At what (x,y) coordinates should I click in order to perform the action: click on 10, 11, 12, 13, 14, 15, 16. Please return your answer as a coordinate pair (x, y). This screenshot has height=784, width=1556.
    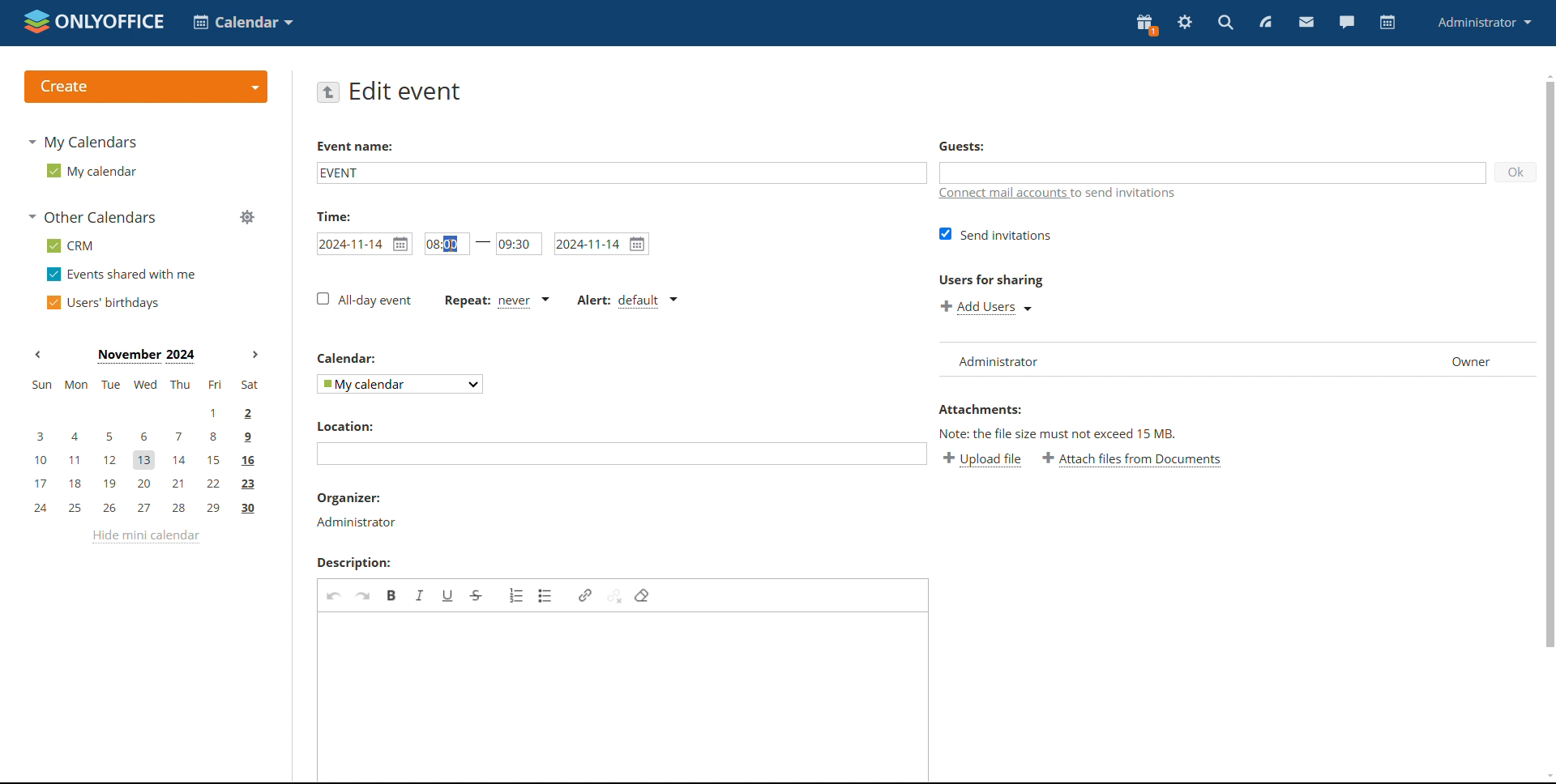
    Looking at the image, I should click on (153, 457).